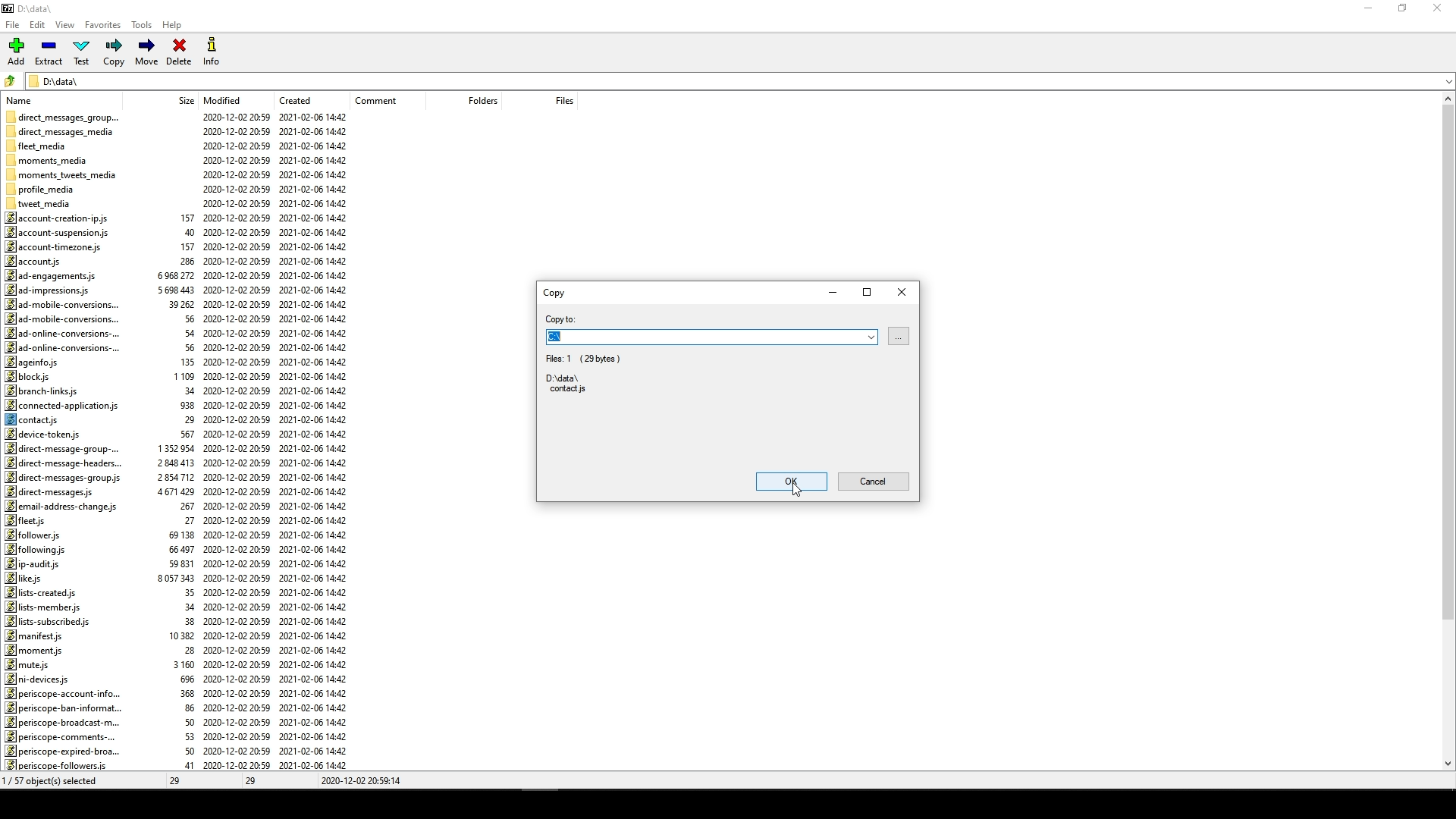 The height and width of the screenshot is (819, 1456). Describe the element at coordinates (67, 318) in the screenshot. I see `ad-mobile-conversions` at that location.